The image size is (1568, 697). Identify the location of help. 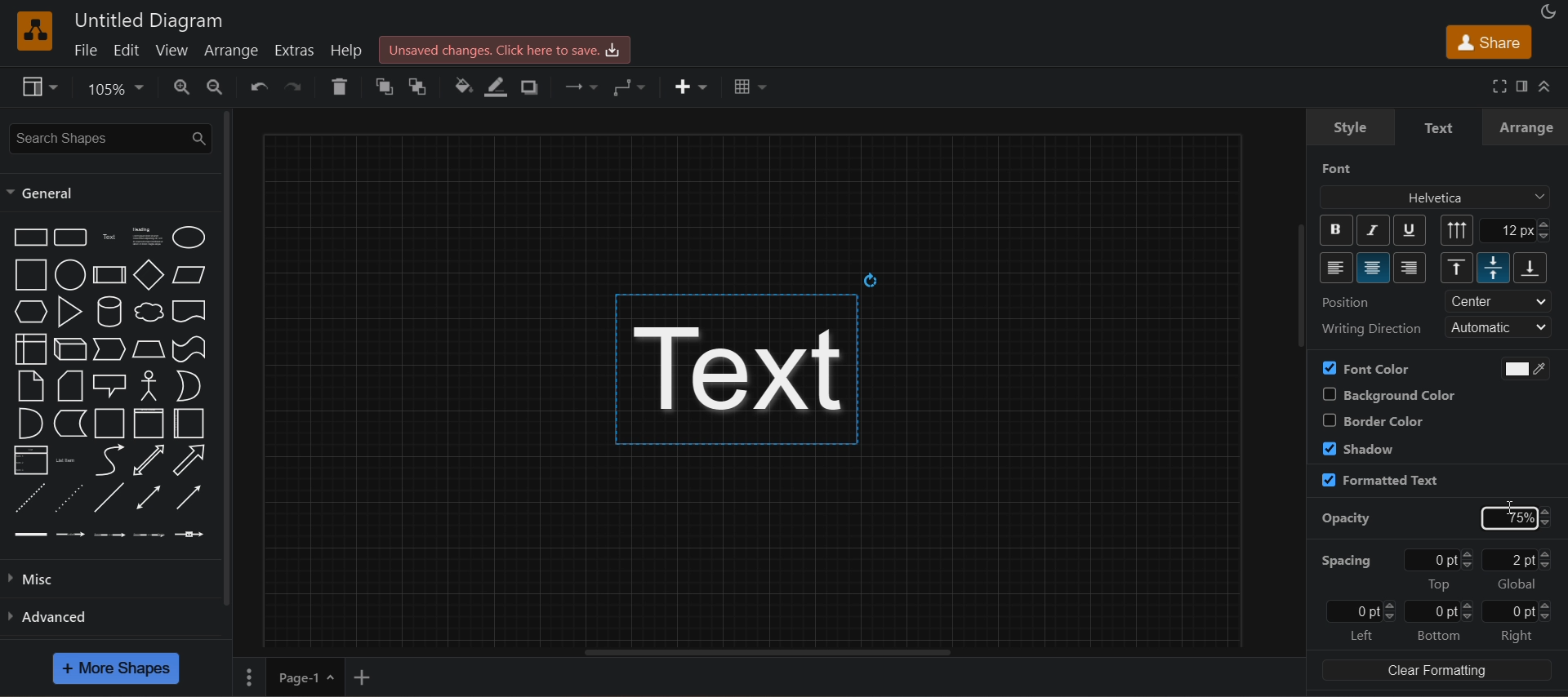
(348, 49).